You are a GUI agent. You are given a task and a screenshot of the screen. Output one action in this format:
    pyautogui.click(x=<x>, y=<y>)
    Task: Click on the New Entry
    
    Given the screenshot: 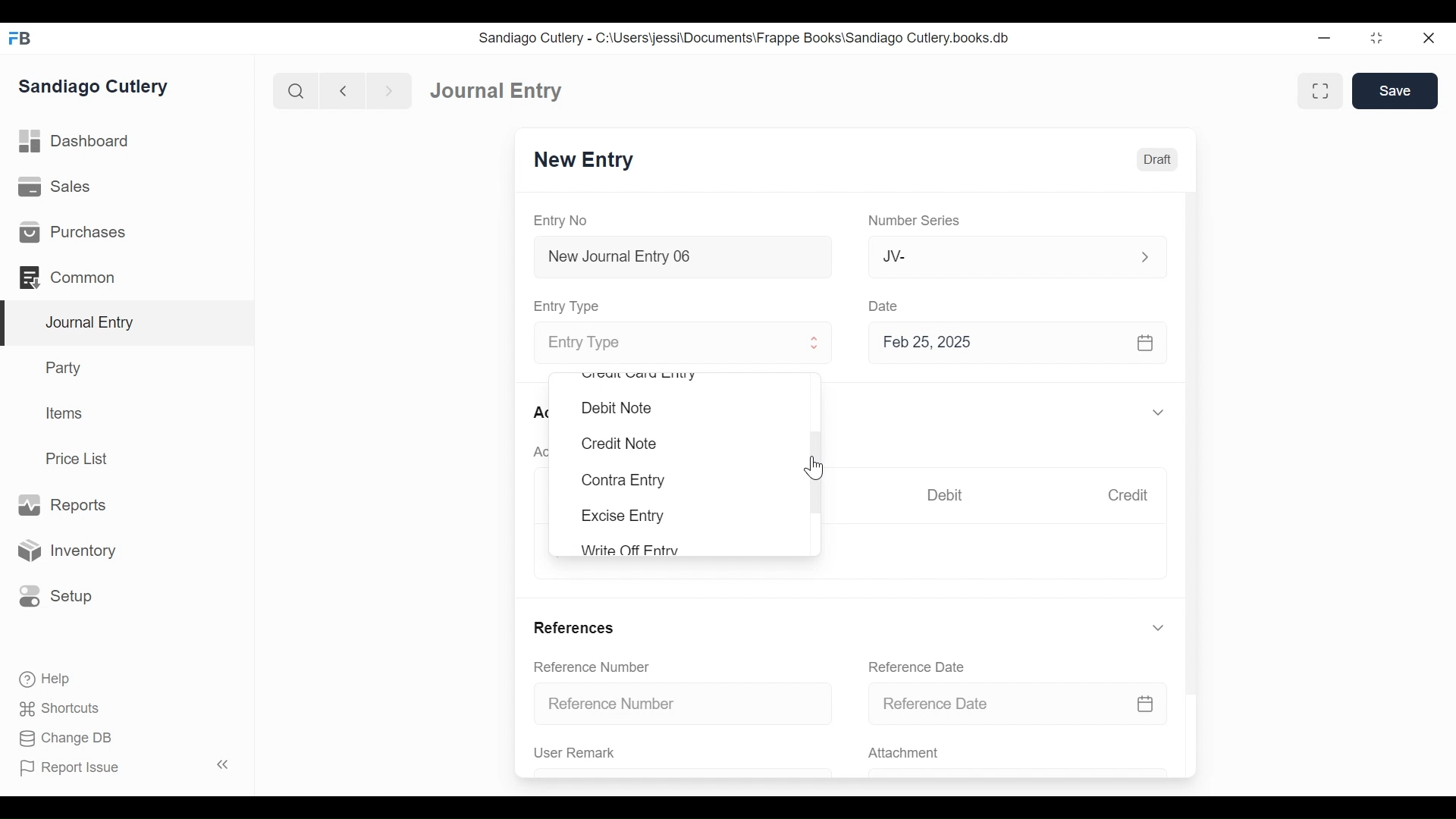 What is the action you would take?
    pyautogui.click(x=584, y=160)
    